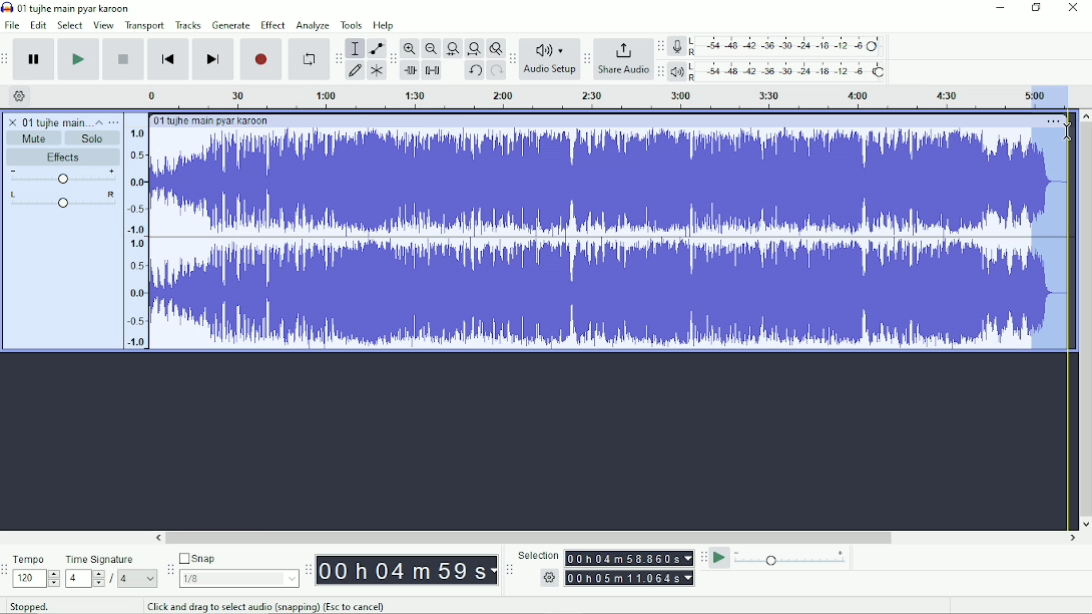 The image size is (1092, 614). I want to click on Draw tool, so click(354, 70).